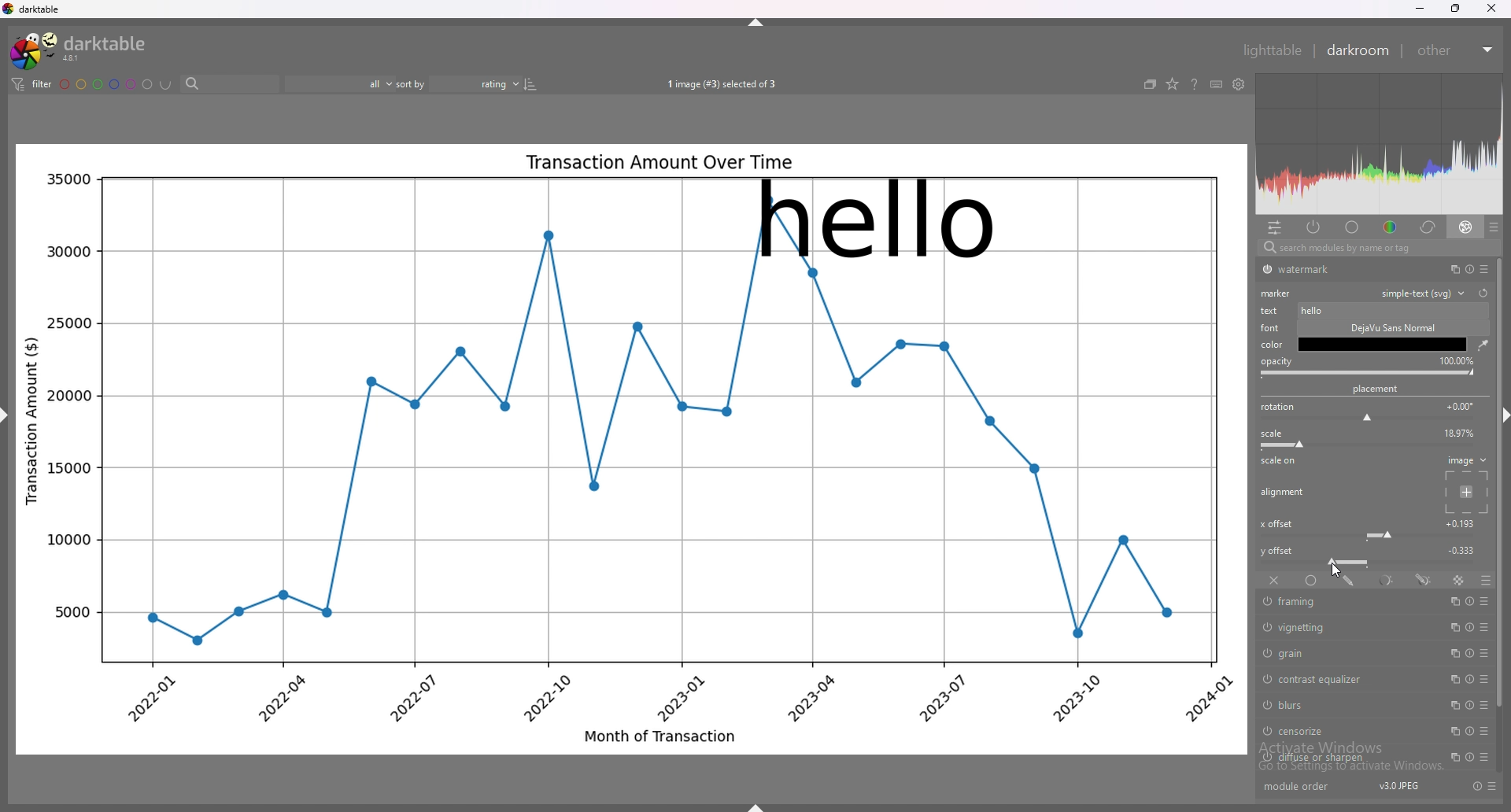 The height and width of the screenshot is (812, 1511). I want to click on image, so click(1467, 460).